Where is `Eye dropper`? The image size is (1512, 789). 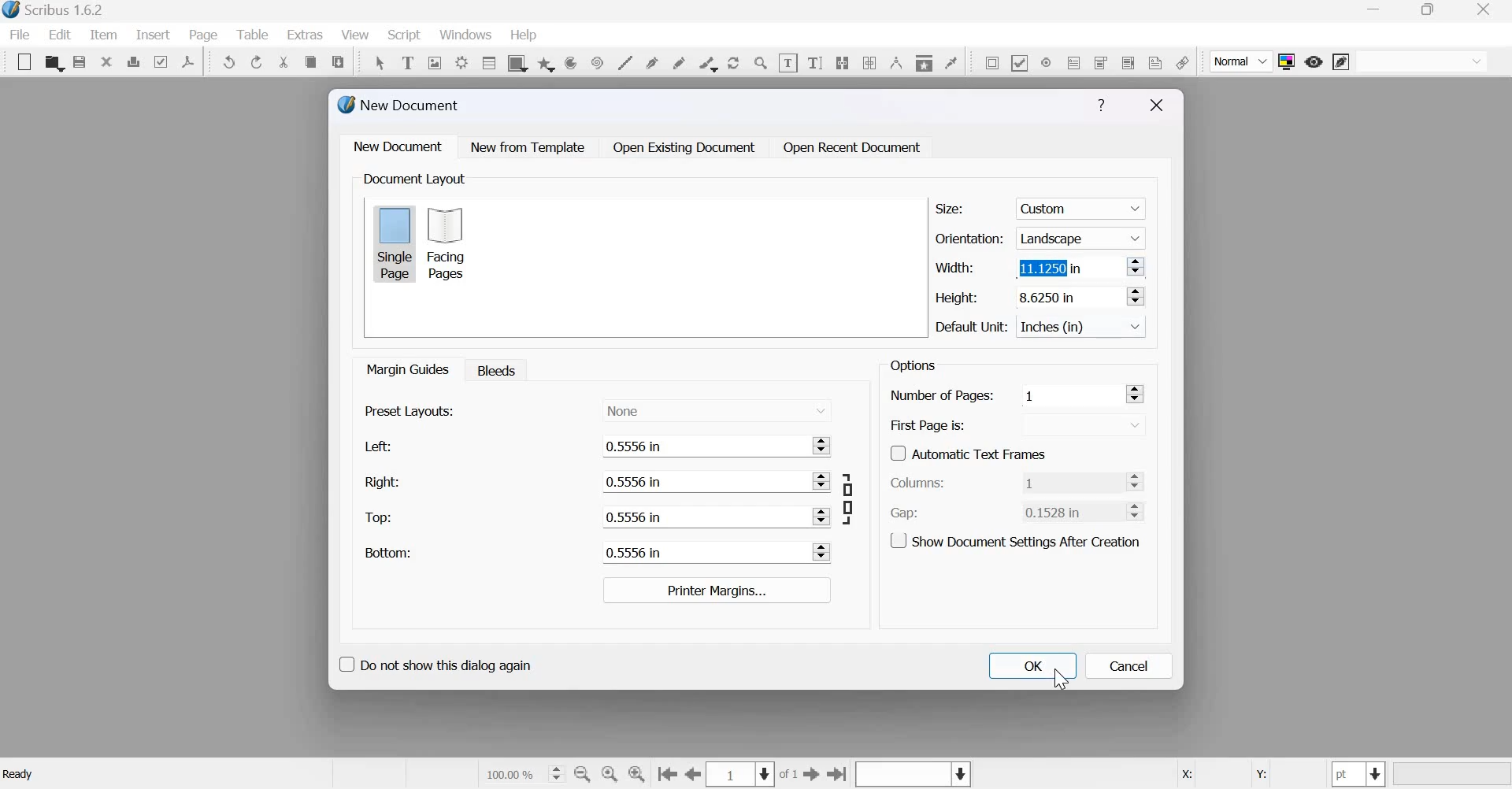
Eye dropper is located at coordinates (951, 61).